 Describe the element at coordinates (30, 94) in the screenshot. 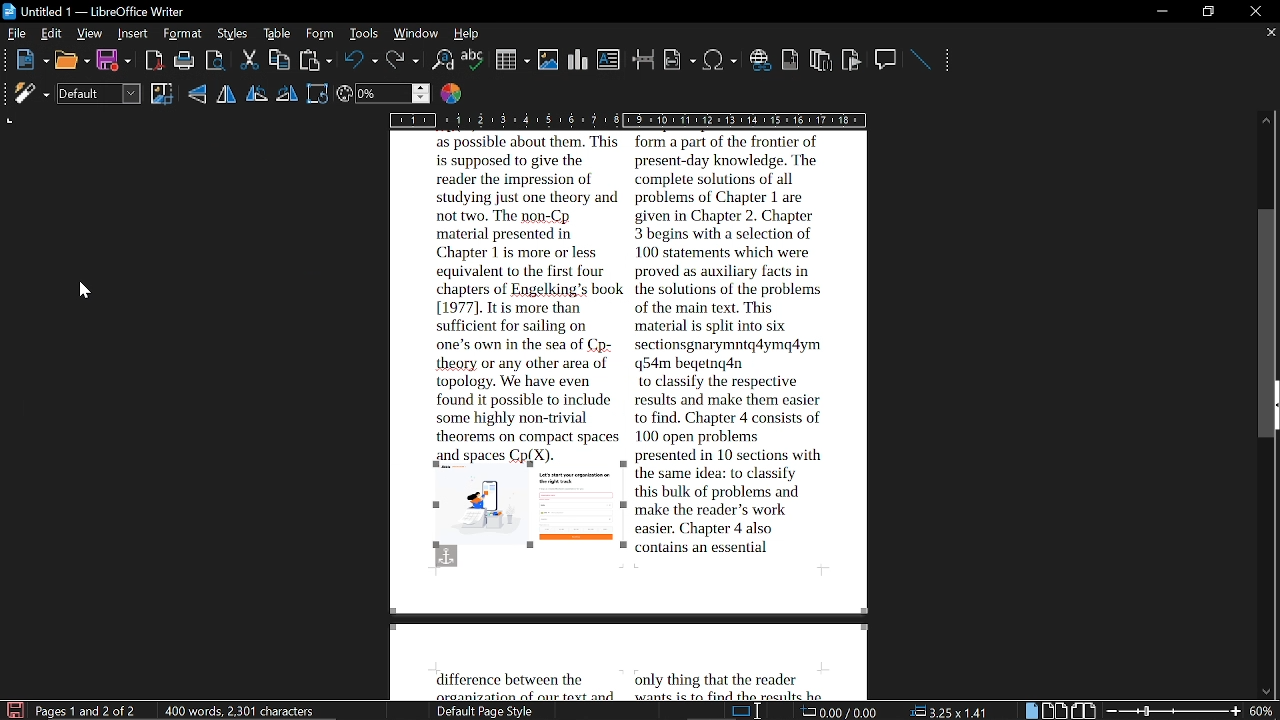

I see `filter` at that location.